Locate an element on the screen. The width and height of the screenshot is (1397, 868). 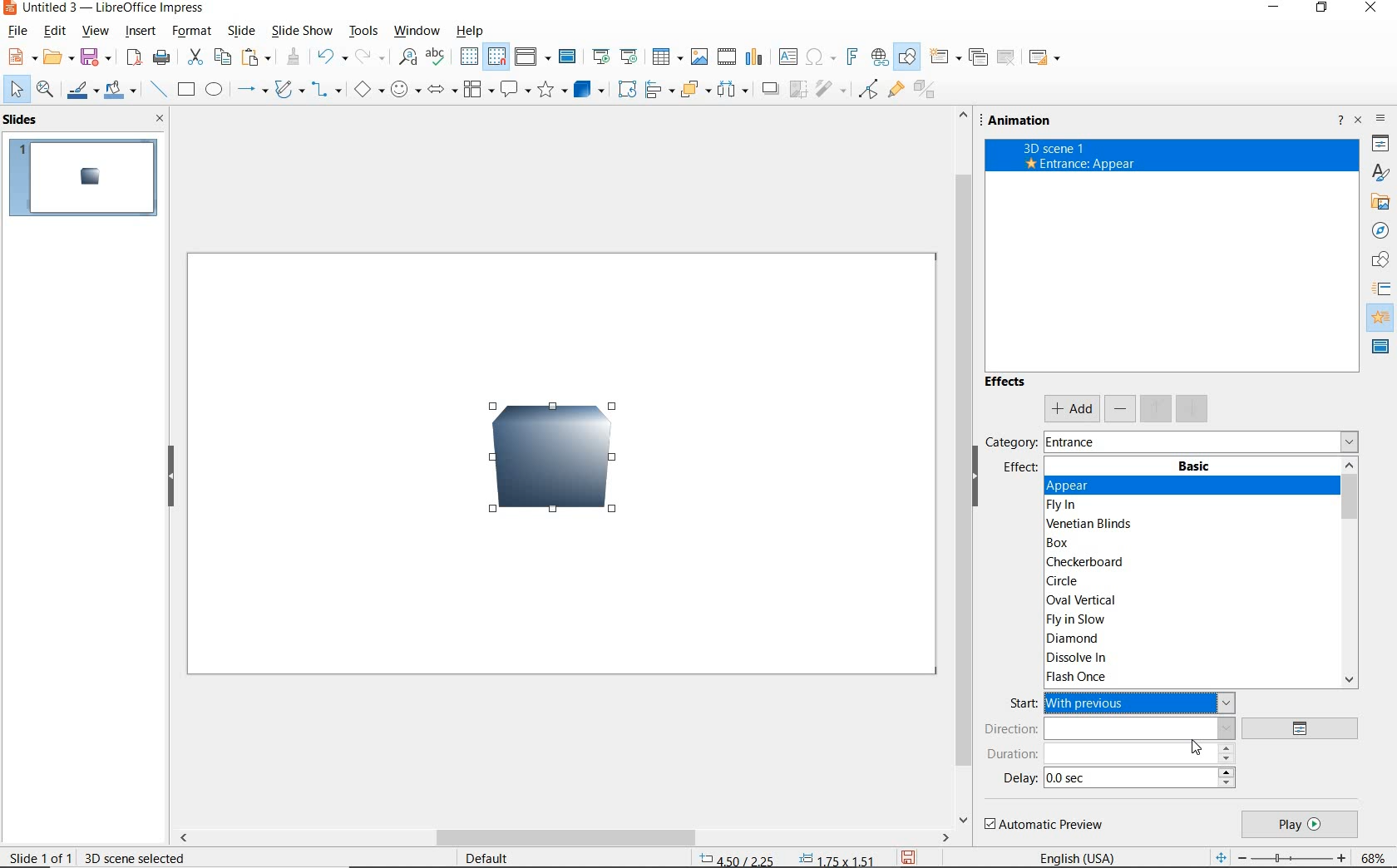
SHAPES is located at coordinates (1381, 261).